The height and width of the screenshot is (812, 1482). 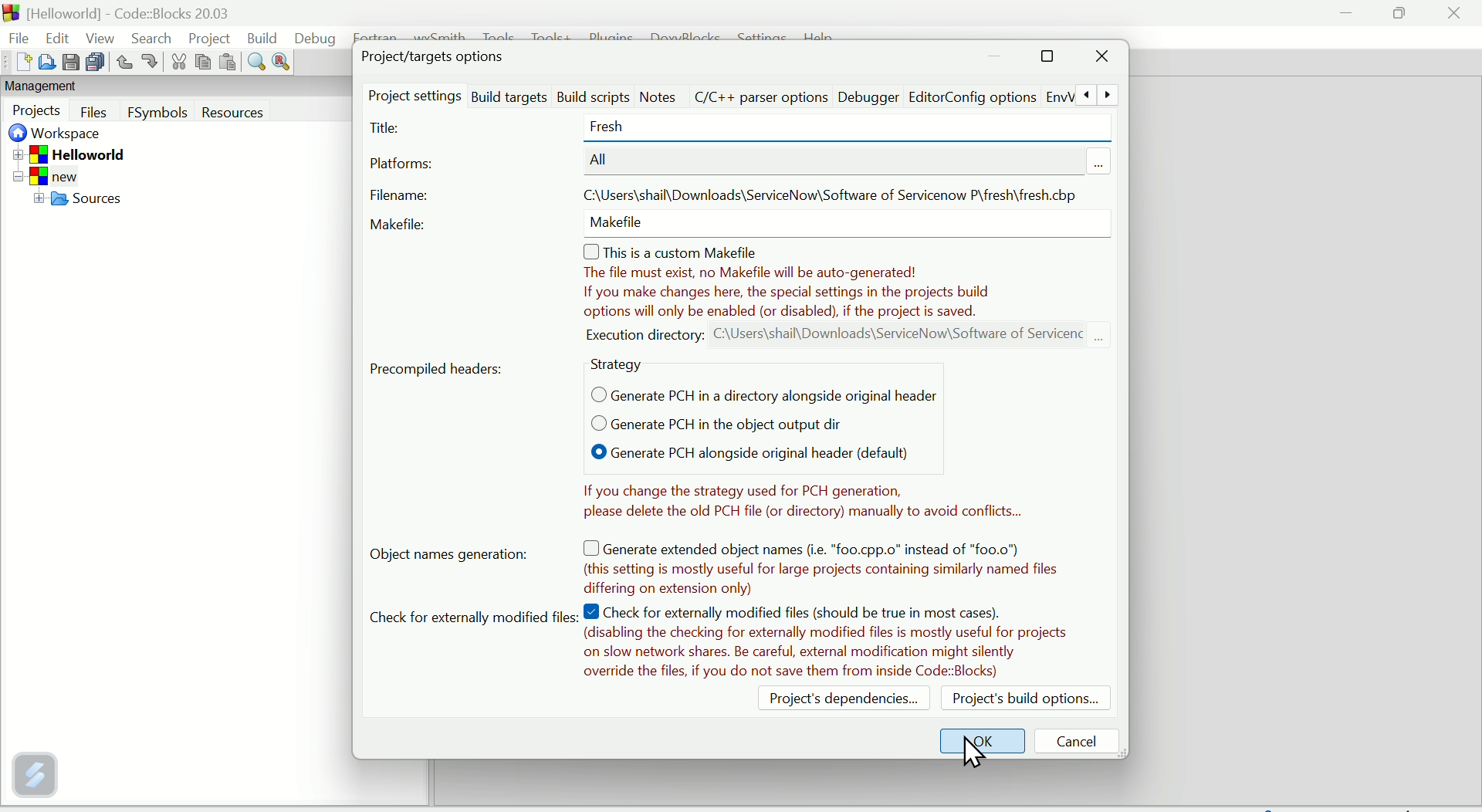 What do you see at coordinates (834, 702) in the screenshot?
I see `Project dependencies` at bounding box center [834, 702].